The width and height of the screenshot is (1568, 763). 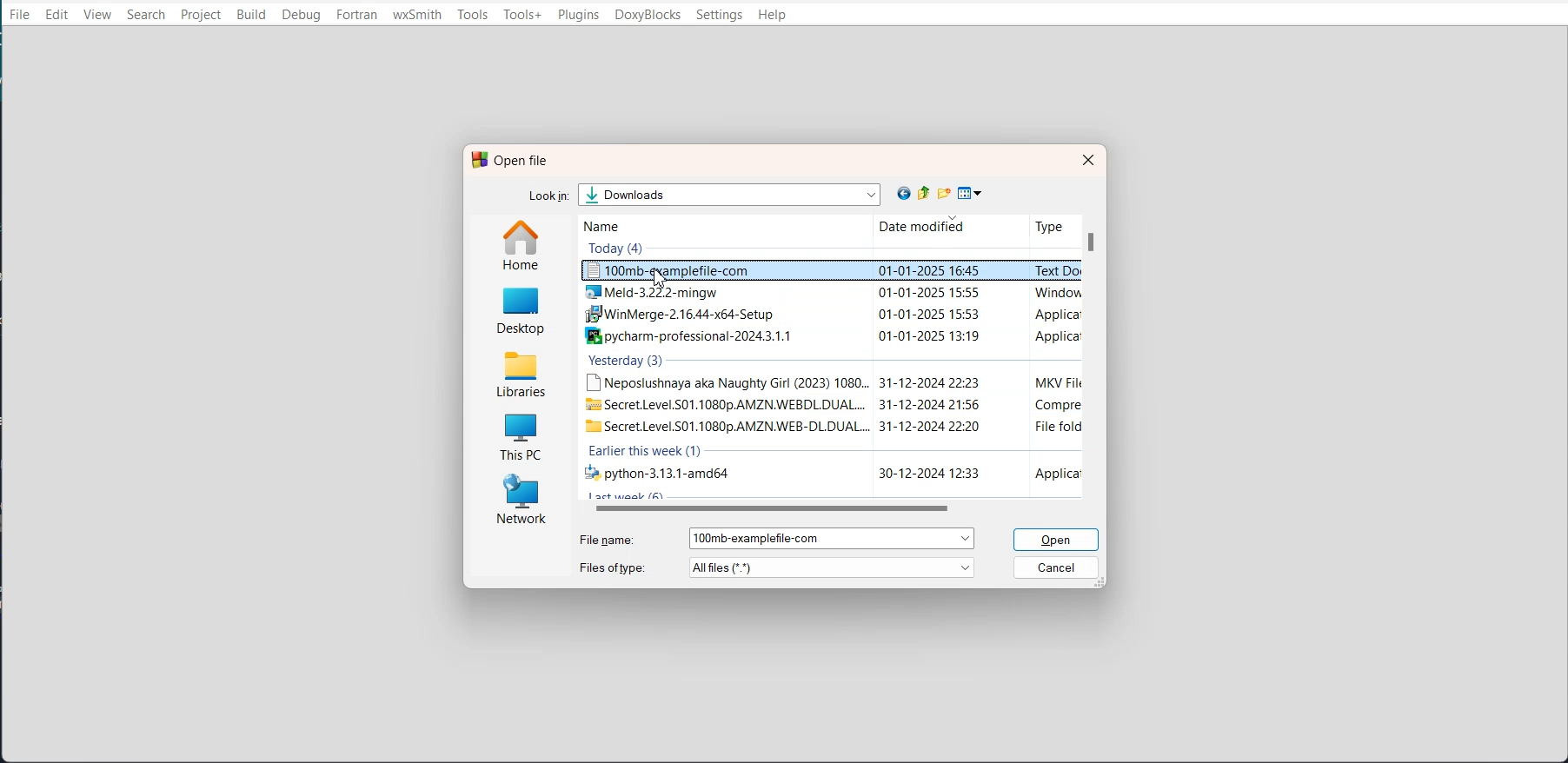 What do you see at coordinates (1058, 567) in the screenshot?
I see `Cancel` at bounding box center [1058, 567].